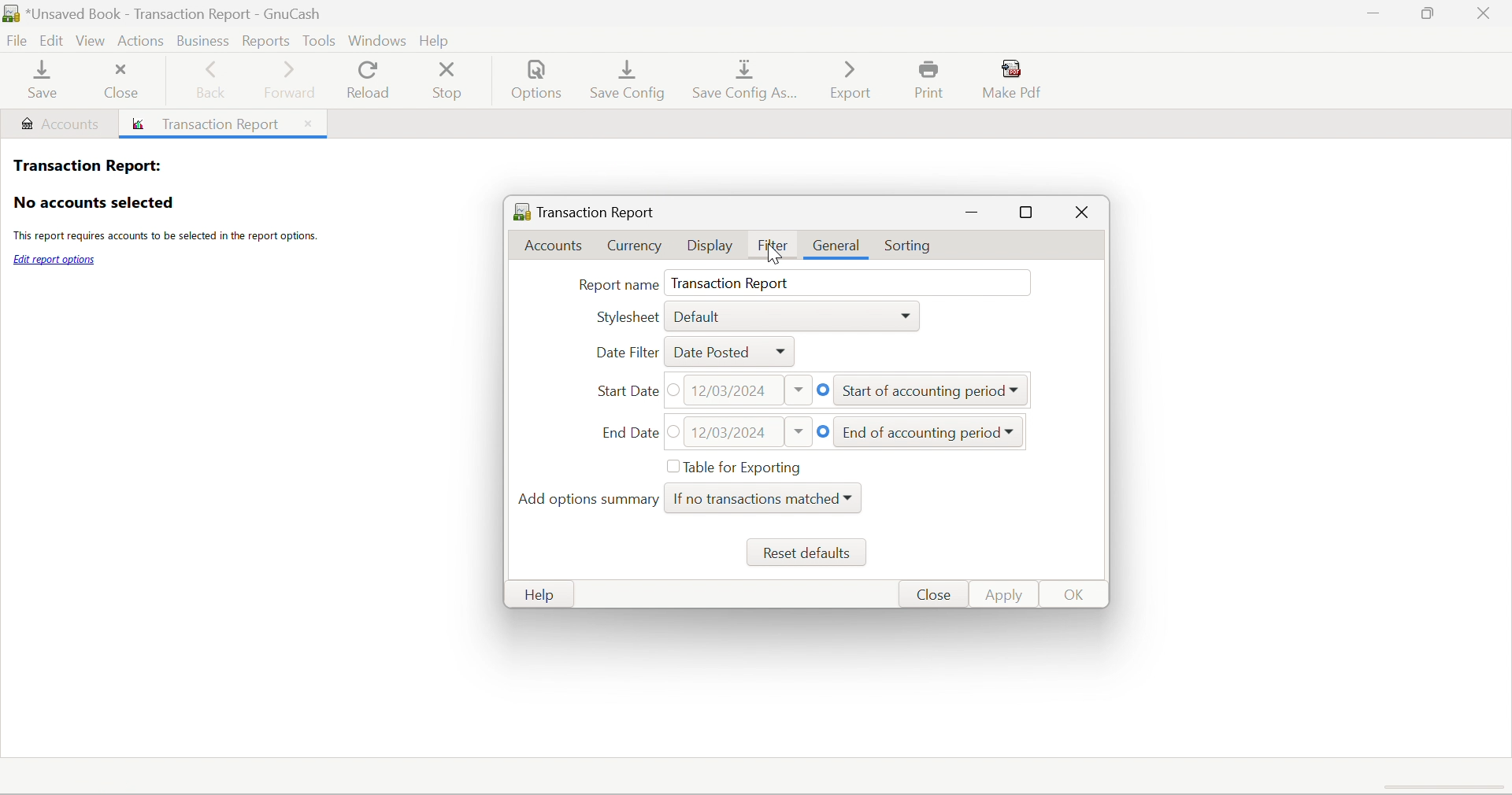  What do you see at coordinates (799, 430) in the screenshot?
I see `Drop Down` at bounding box center [799, 430].